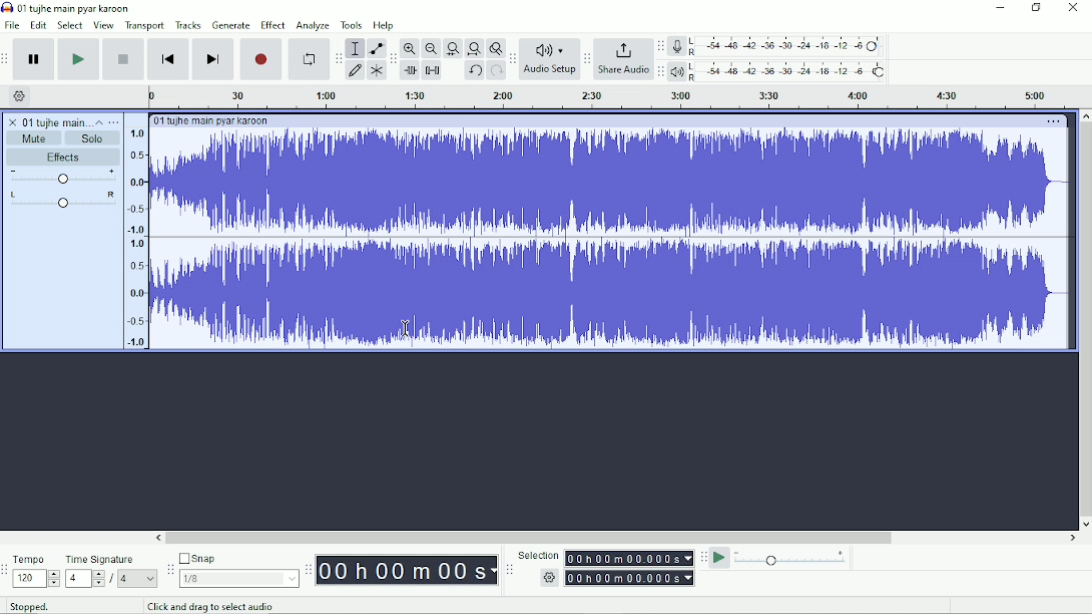 The width and height of the screenshot is (1092, 614). What do you see at coordinates (309, 59) in the screenshot?
I see `Enable looping` at bounding box center [309, 59].